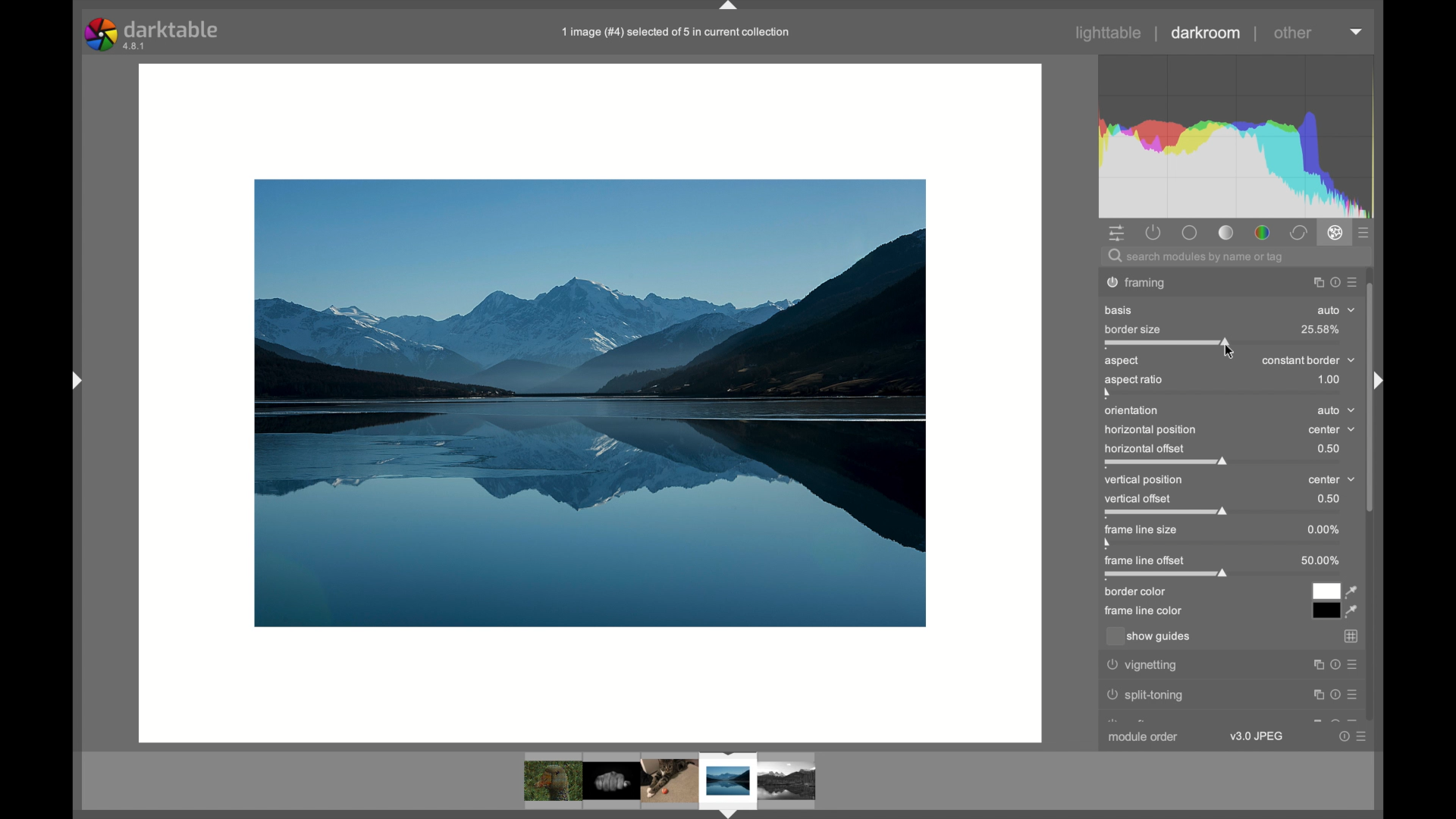 This screenshot has width=1456, height=819. Describe the element at coordinates (1150, 695) in the screenshot. I see `split toning` at that location.